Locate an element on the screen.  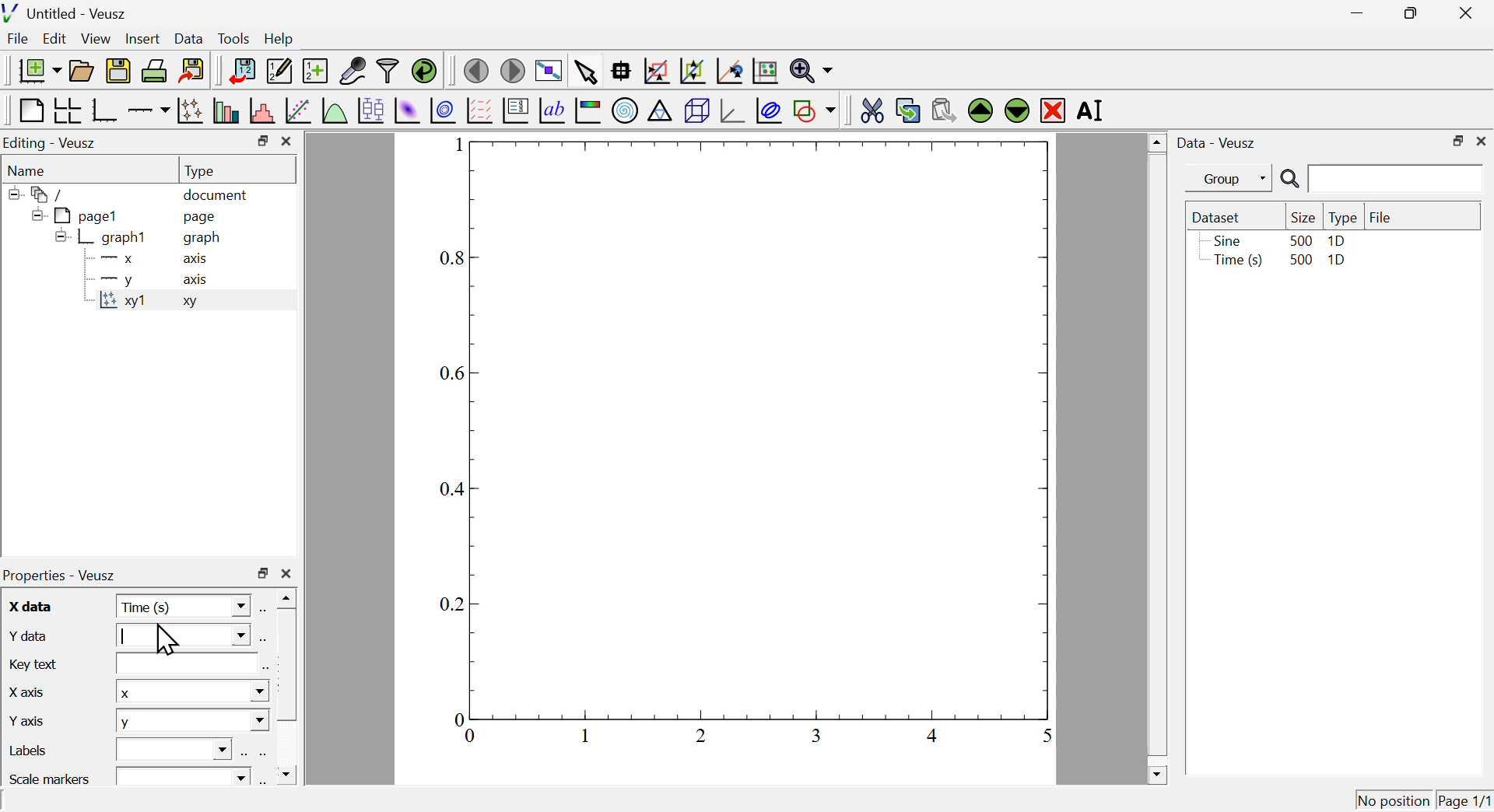
read data points on the graph is located at coordinates (622, 72).